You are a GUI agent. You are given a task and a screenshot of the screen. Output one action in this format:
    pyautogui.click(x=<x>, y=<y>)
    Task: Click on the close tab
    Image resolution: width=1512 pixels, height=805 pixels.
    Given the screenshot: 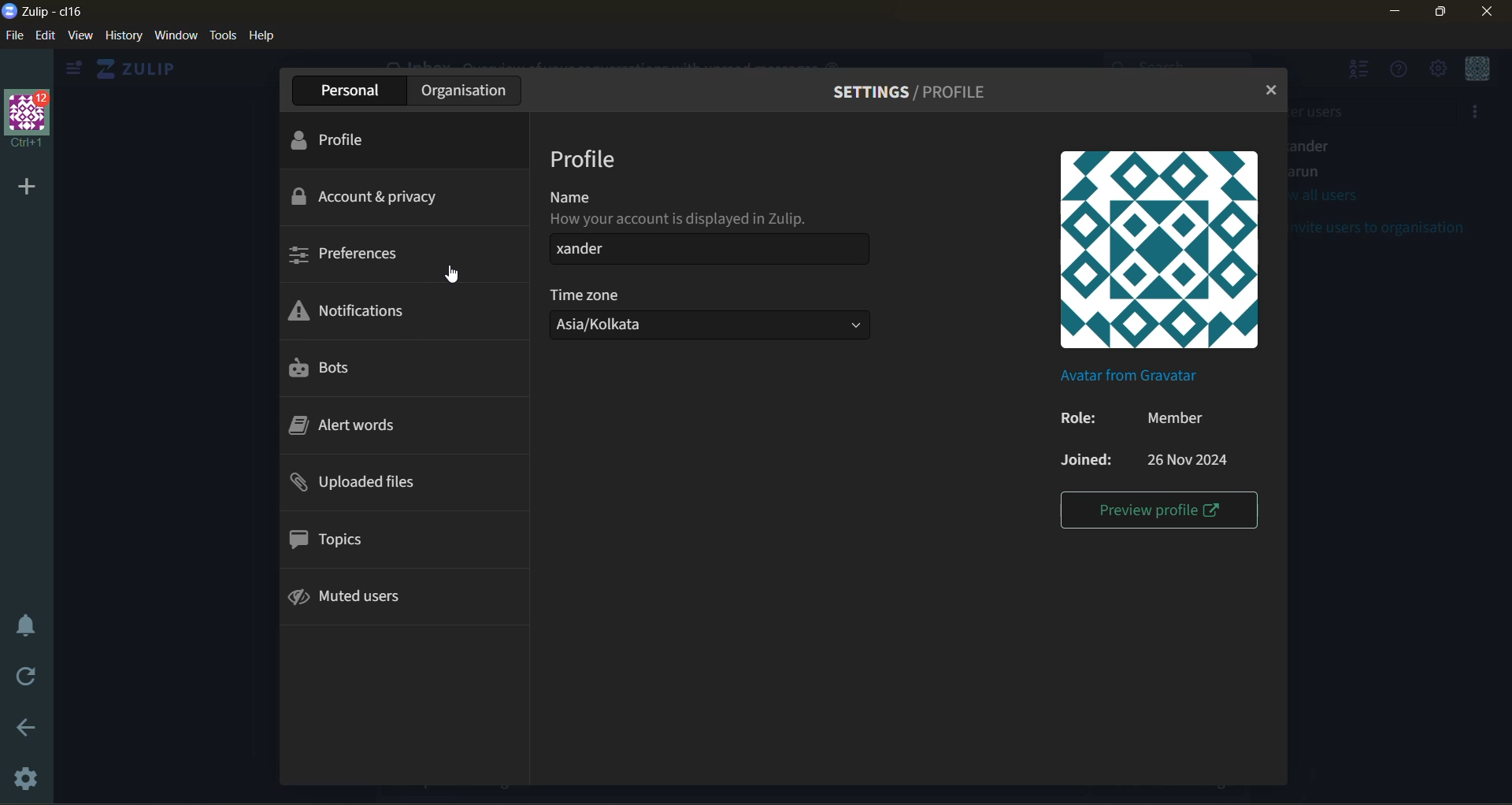 What is the action you would take?
    pyautogui.click(x=1266, y=89)
    